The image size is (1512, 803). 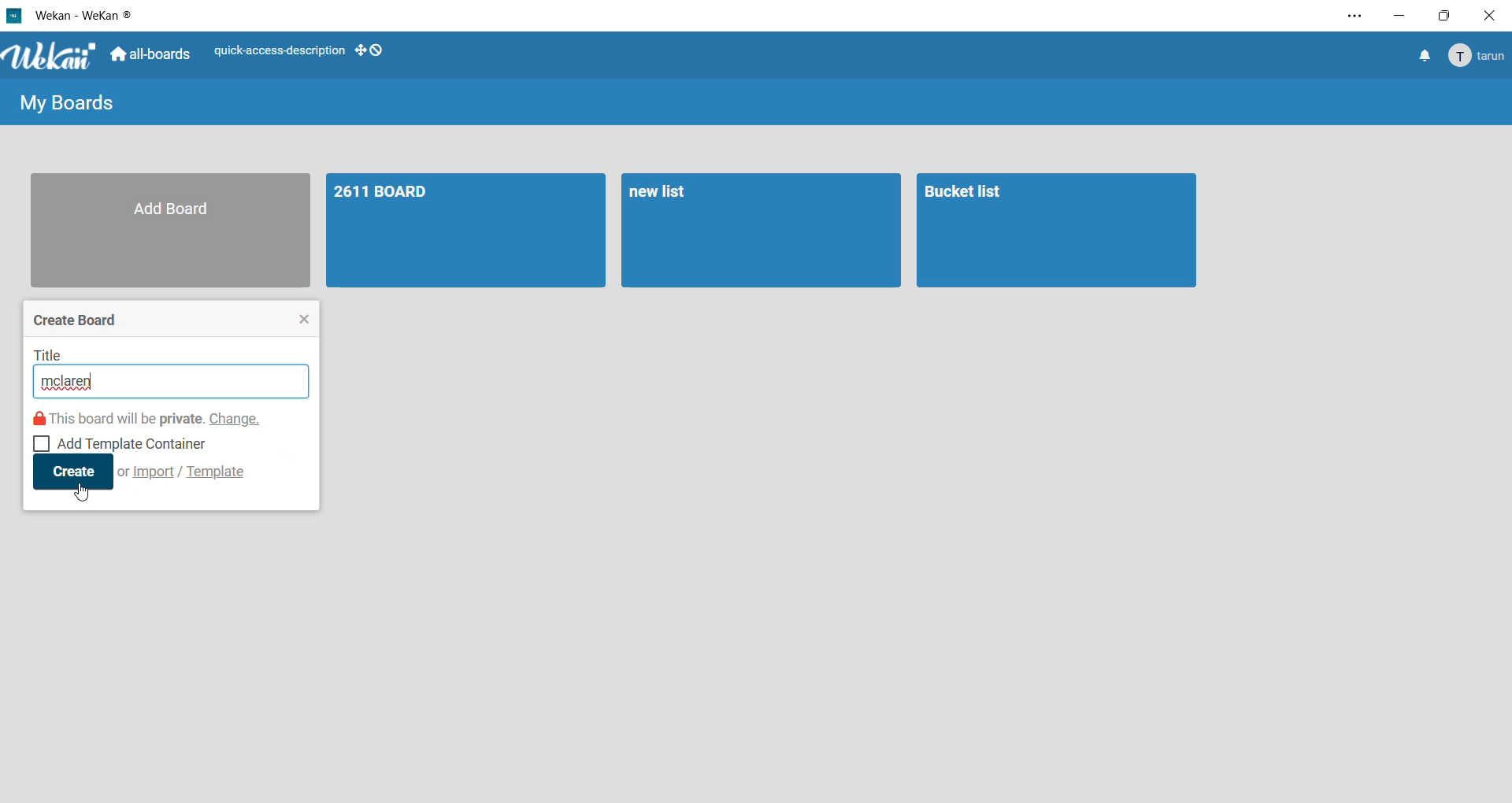 I want to click on show desktop drag handles, so click(x=369, y=52).